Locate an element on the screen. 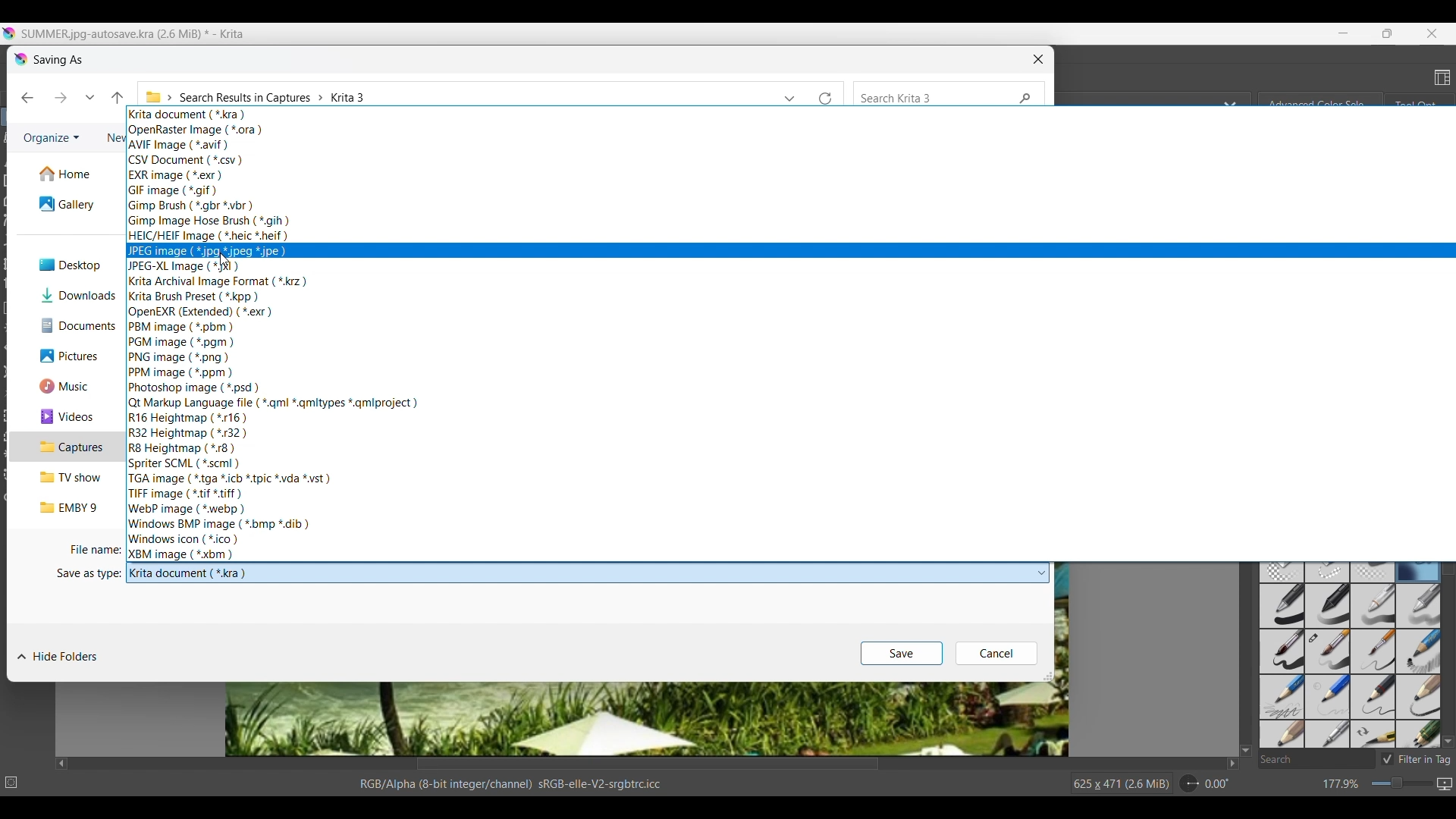 The width and height of the screenshot is (1456, 819). Quick search is located at coordinates (949, 94).